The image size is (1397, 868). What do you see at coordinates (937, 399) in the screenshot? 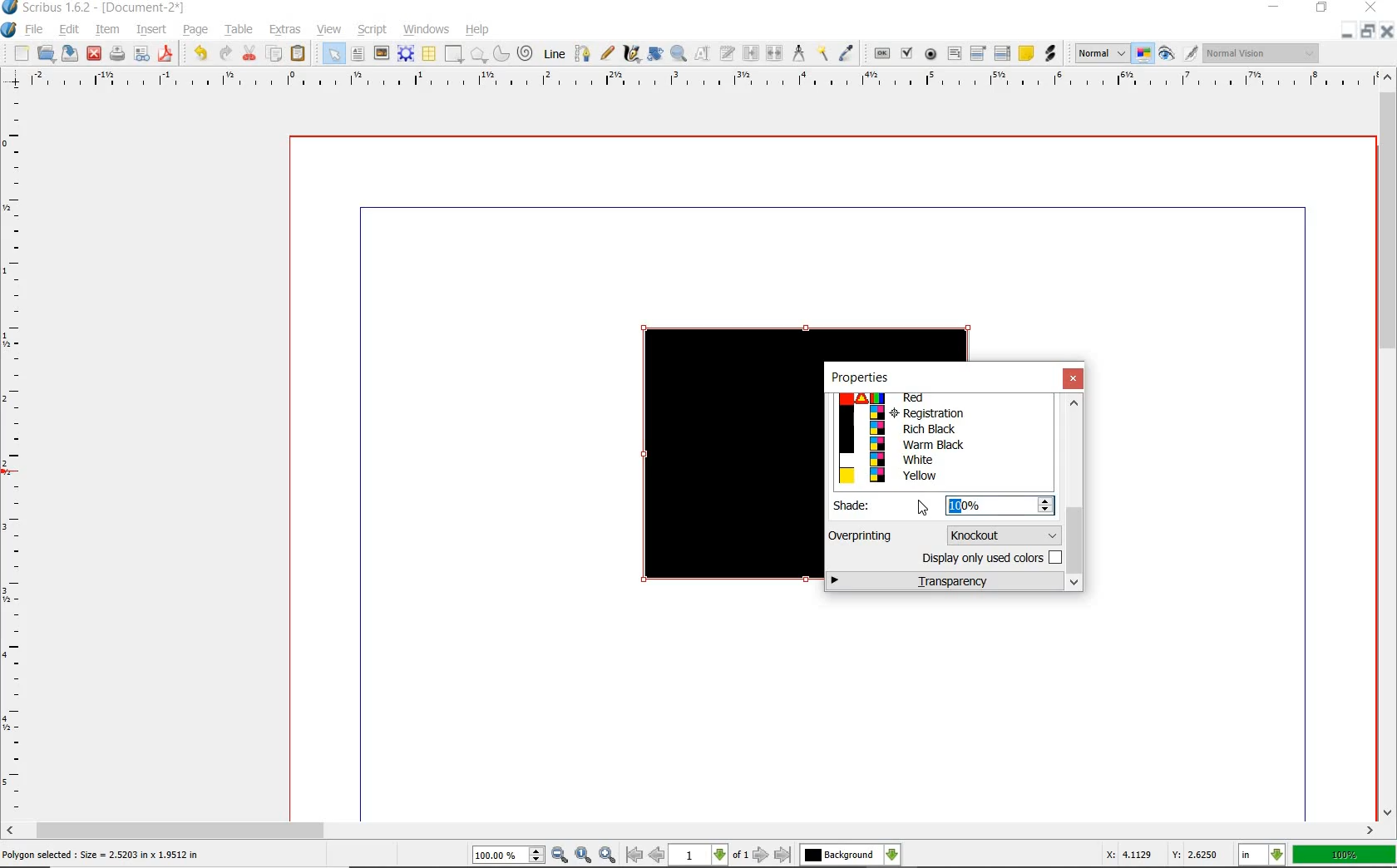
I see `Red` at bounding box center [937, 399].